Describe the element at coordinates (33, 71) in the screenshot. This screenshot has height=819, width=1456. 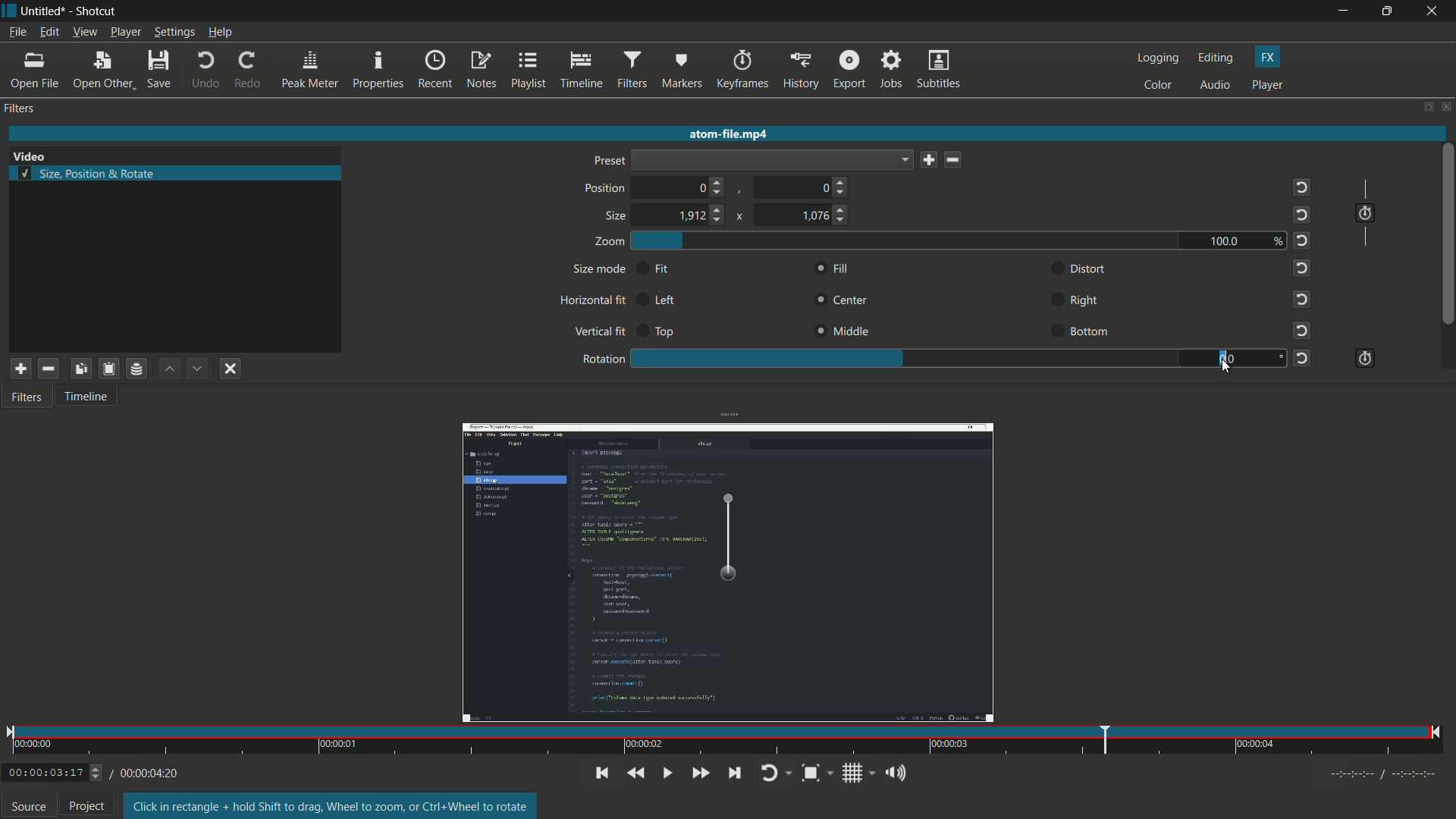
I see `open file` at that location.